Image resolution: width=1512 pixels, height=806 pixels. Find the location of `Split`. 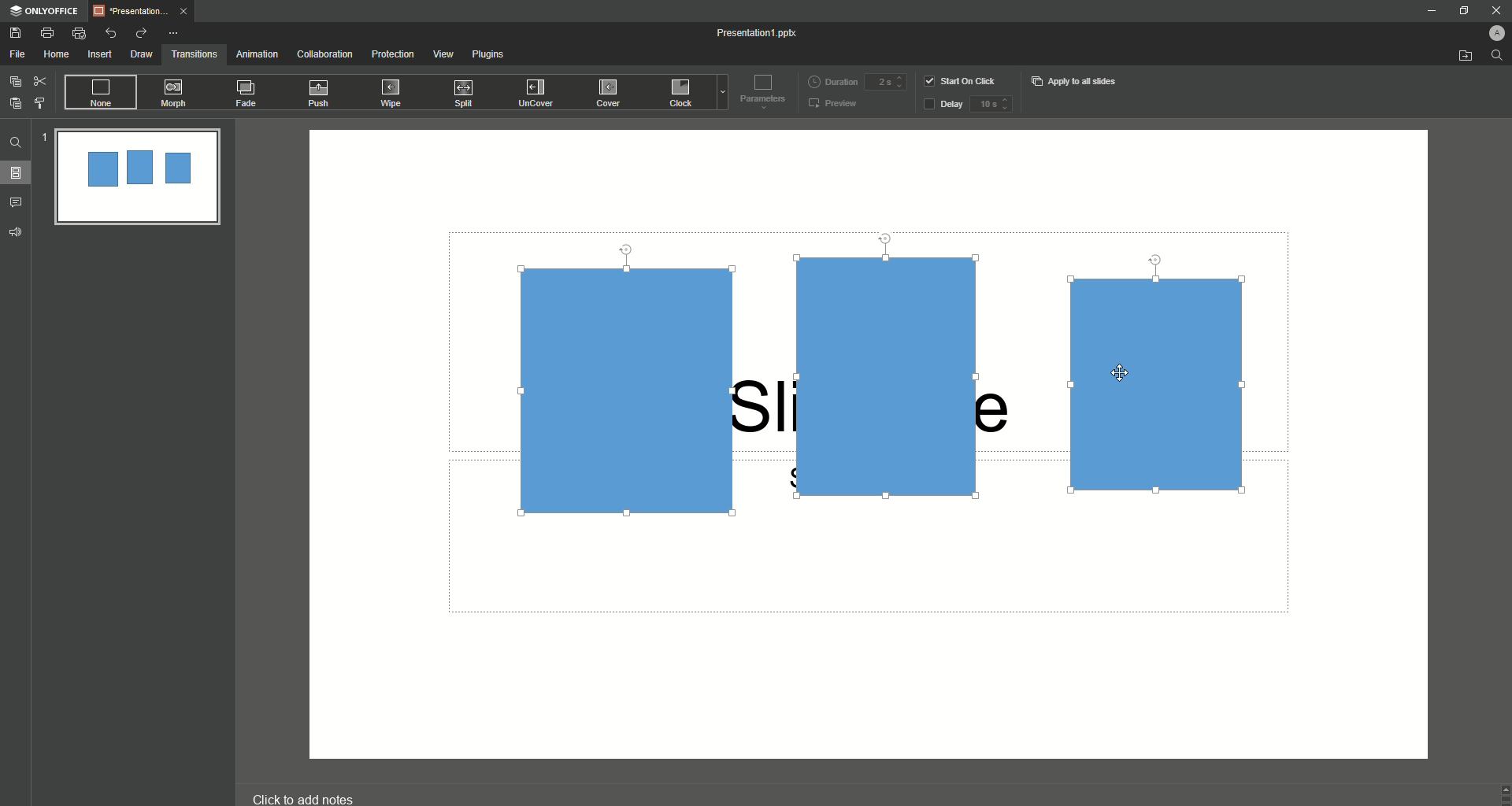

Split is located at coordinates (467, 94).